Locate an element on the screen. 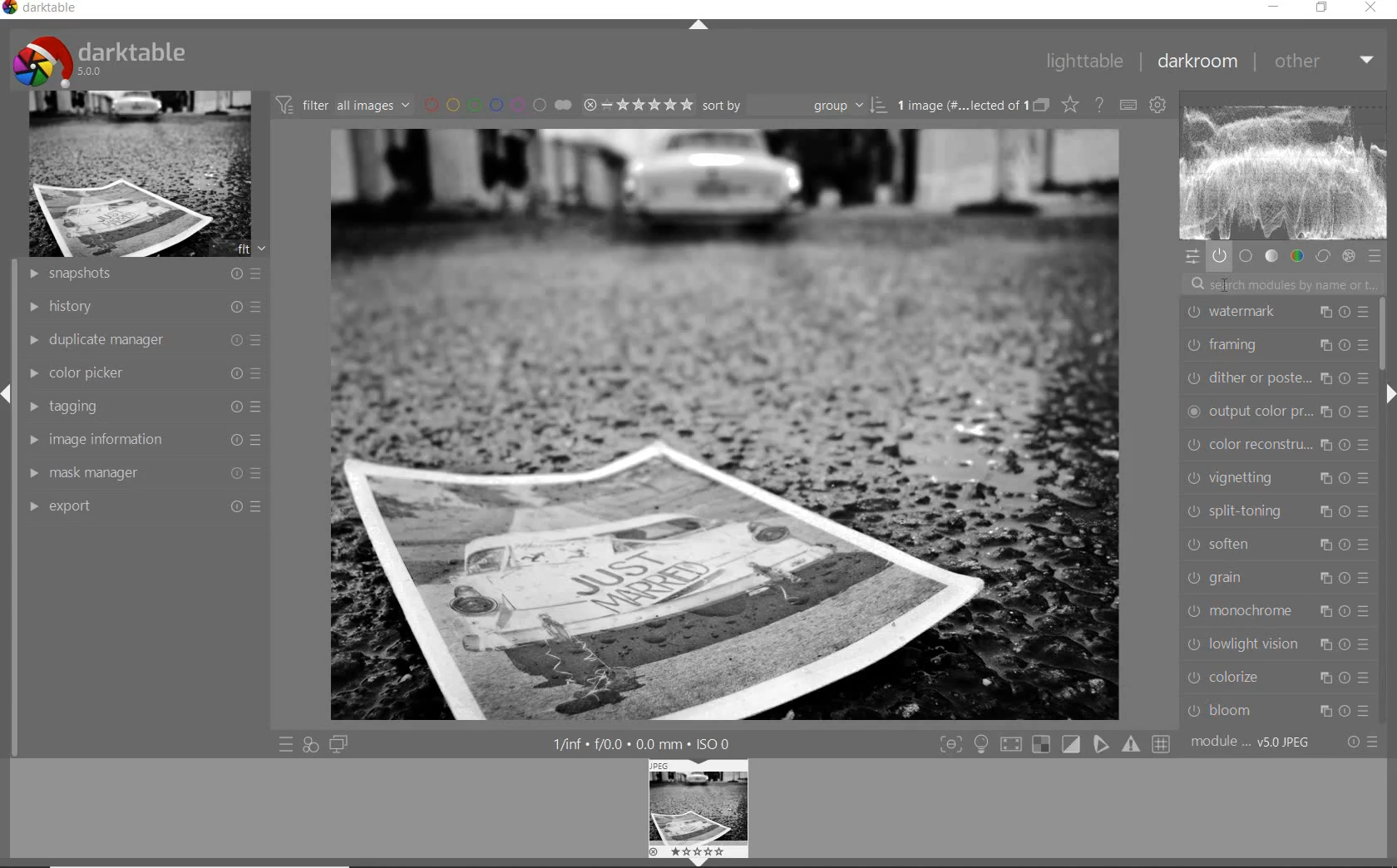 The image size is (1397, 868). color reconstruction is located at coordinates (1277, 446).